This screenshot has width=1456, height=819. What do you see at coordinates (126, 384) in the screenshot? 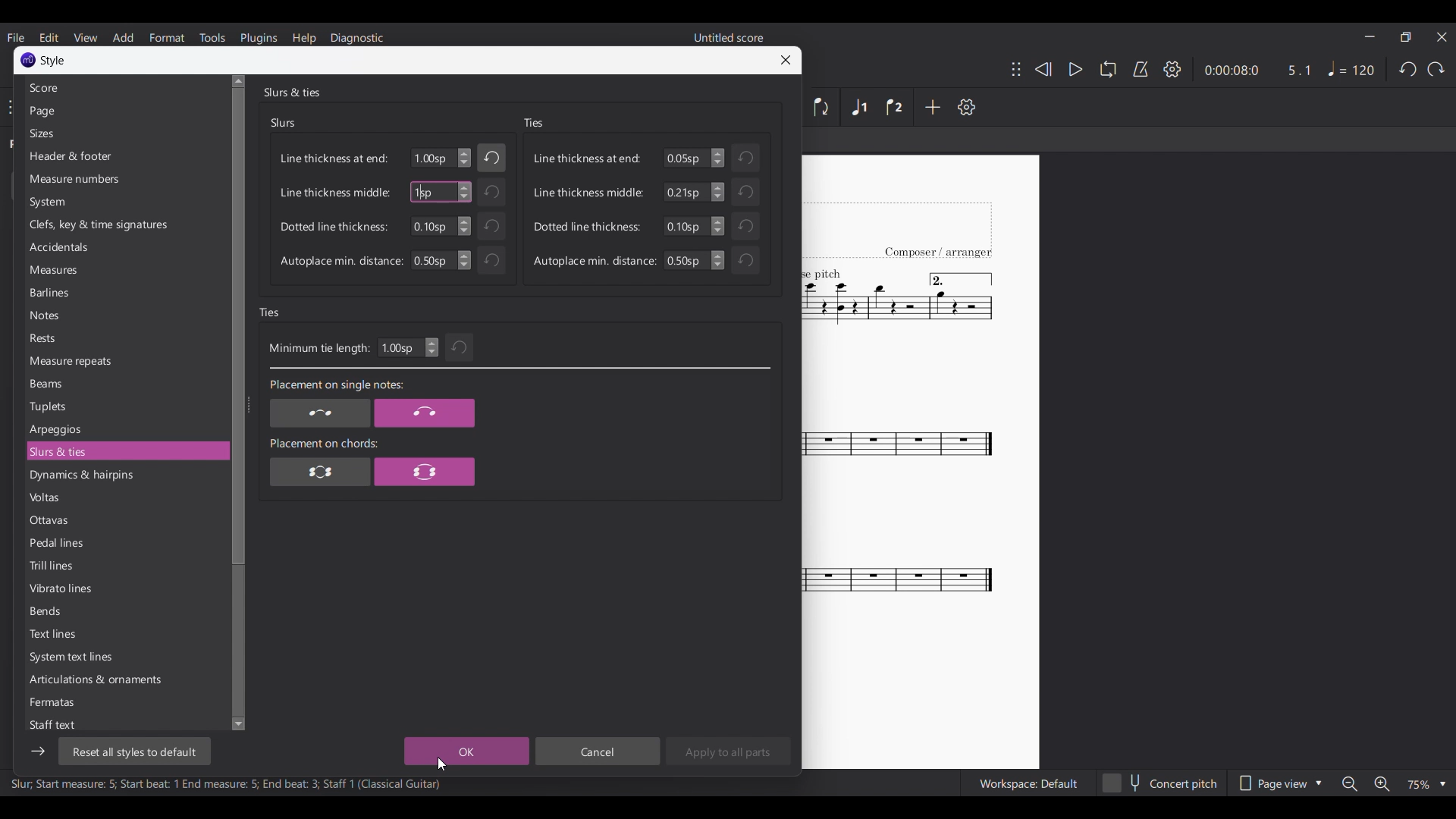
I see `Beams` at bounding box center [126, 384].